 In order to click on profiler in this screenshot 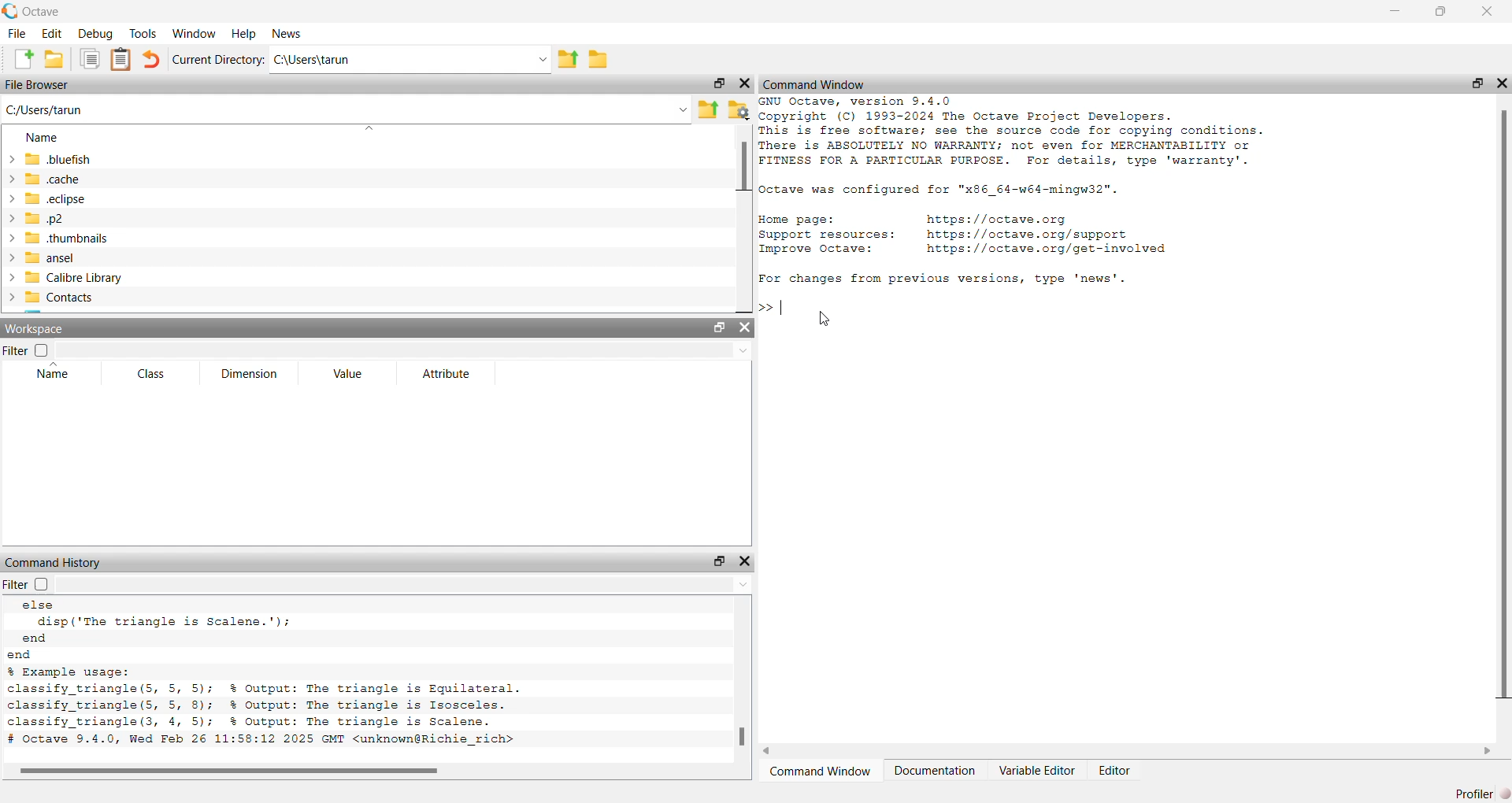, I will do `click(1477, 792)`.